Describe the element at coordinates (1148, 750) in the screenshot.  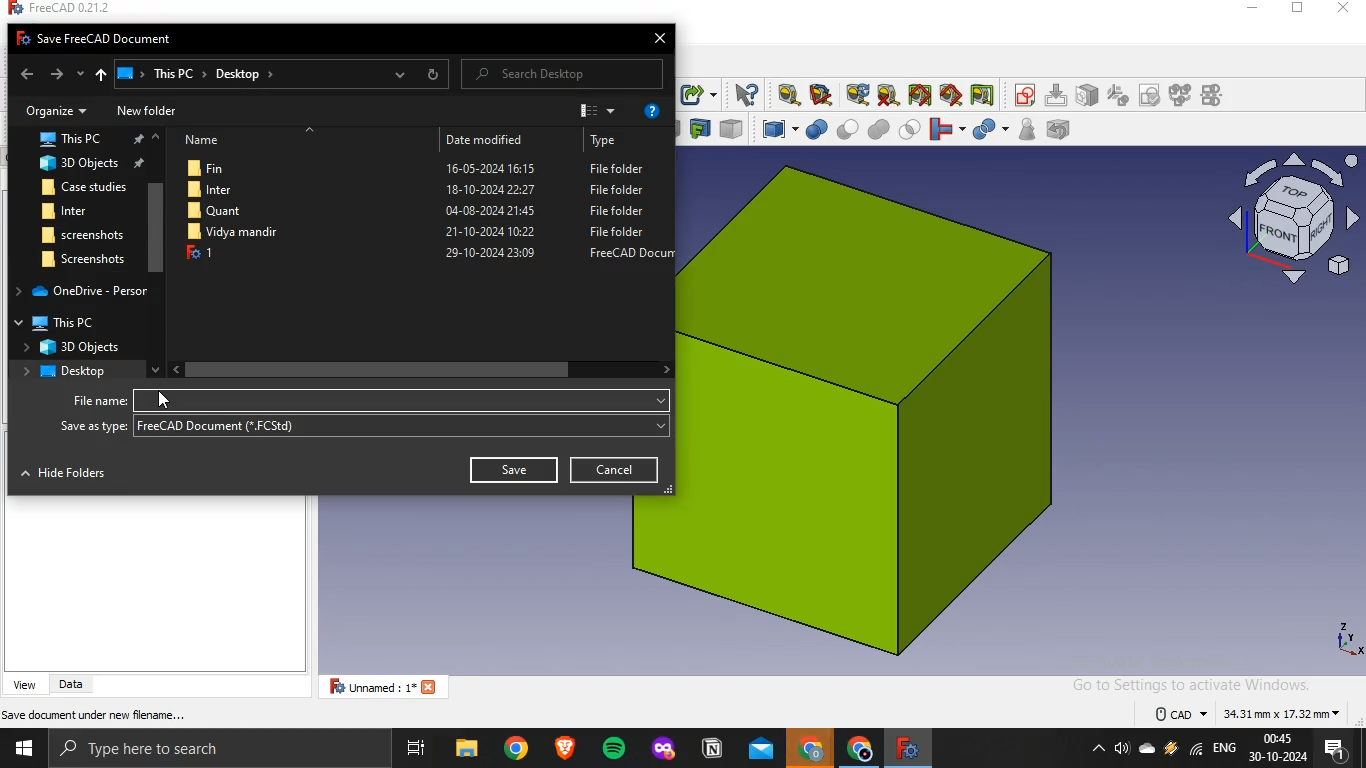
I see `onedrive` at that location.